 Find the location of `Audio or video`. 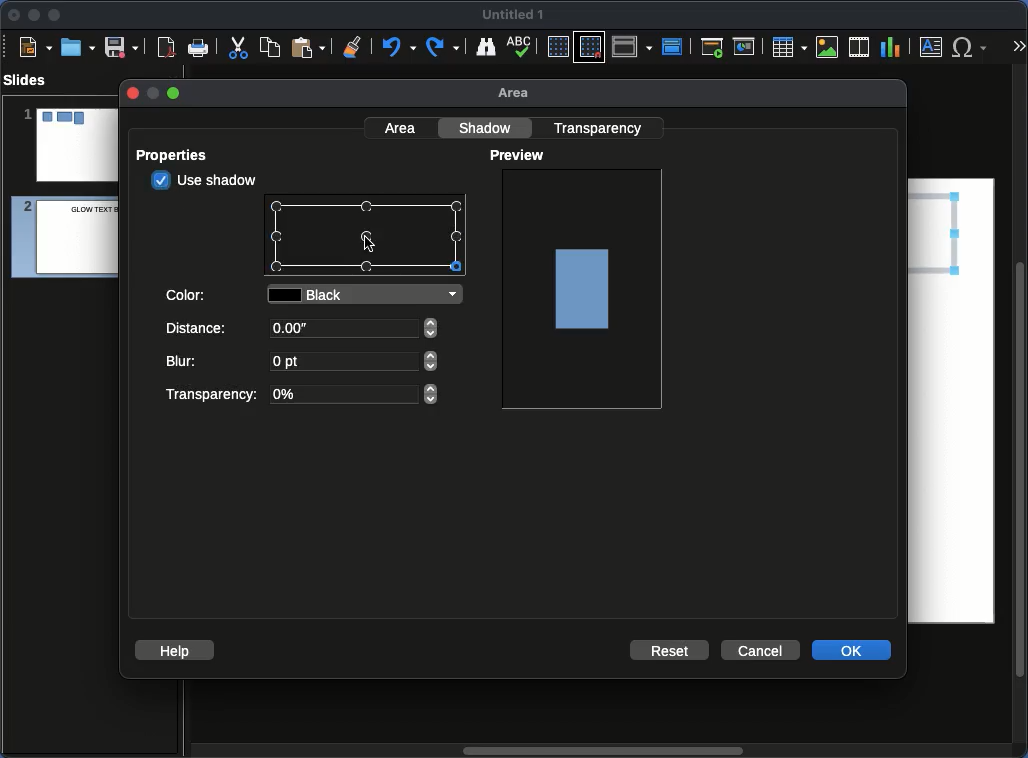

Audio or video is located at coordinates (860, 47).